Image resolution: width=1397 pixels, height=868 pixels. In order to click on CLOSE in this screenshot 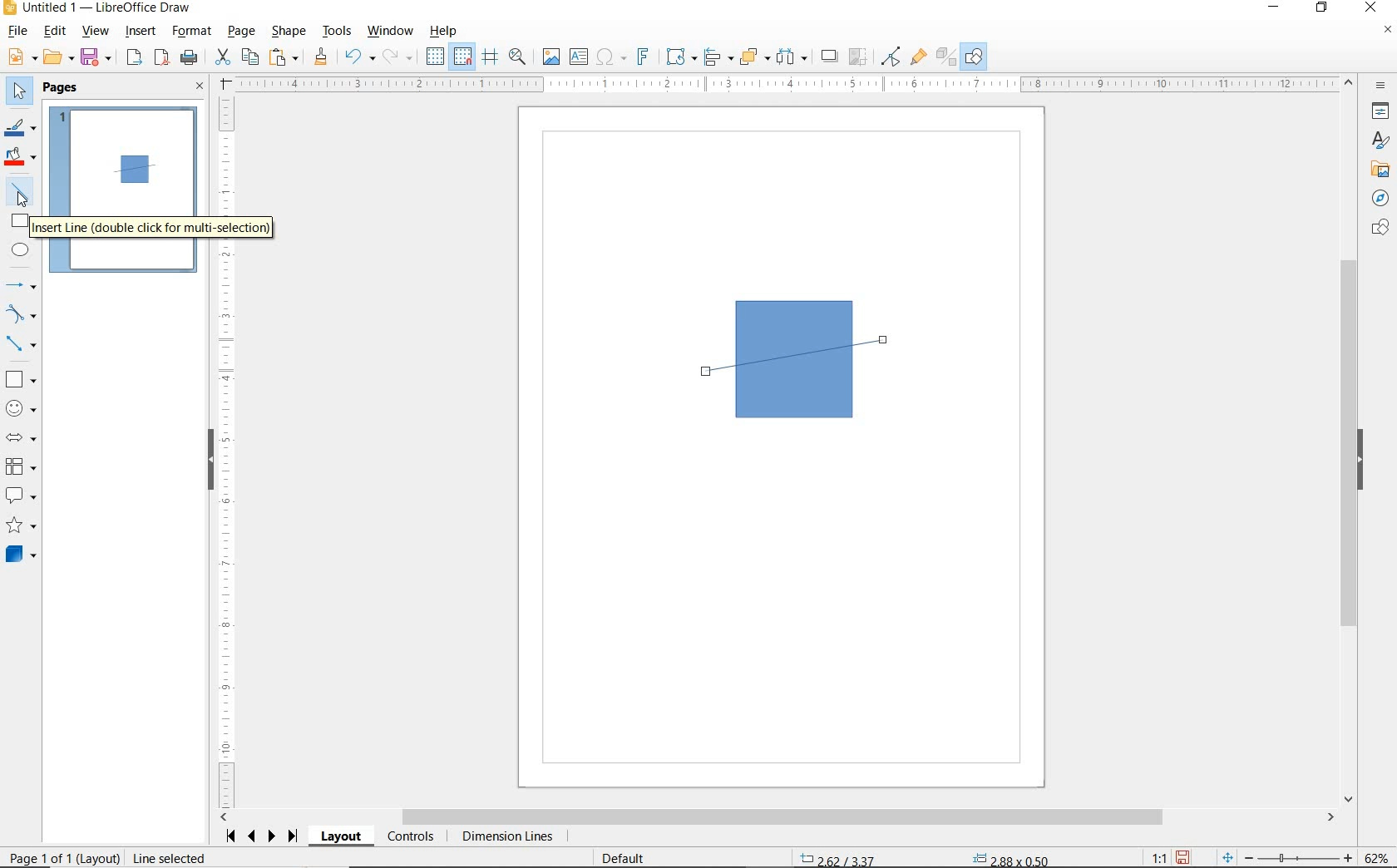, I will do `click(200, 87)`.